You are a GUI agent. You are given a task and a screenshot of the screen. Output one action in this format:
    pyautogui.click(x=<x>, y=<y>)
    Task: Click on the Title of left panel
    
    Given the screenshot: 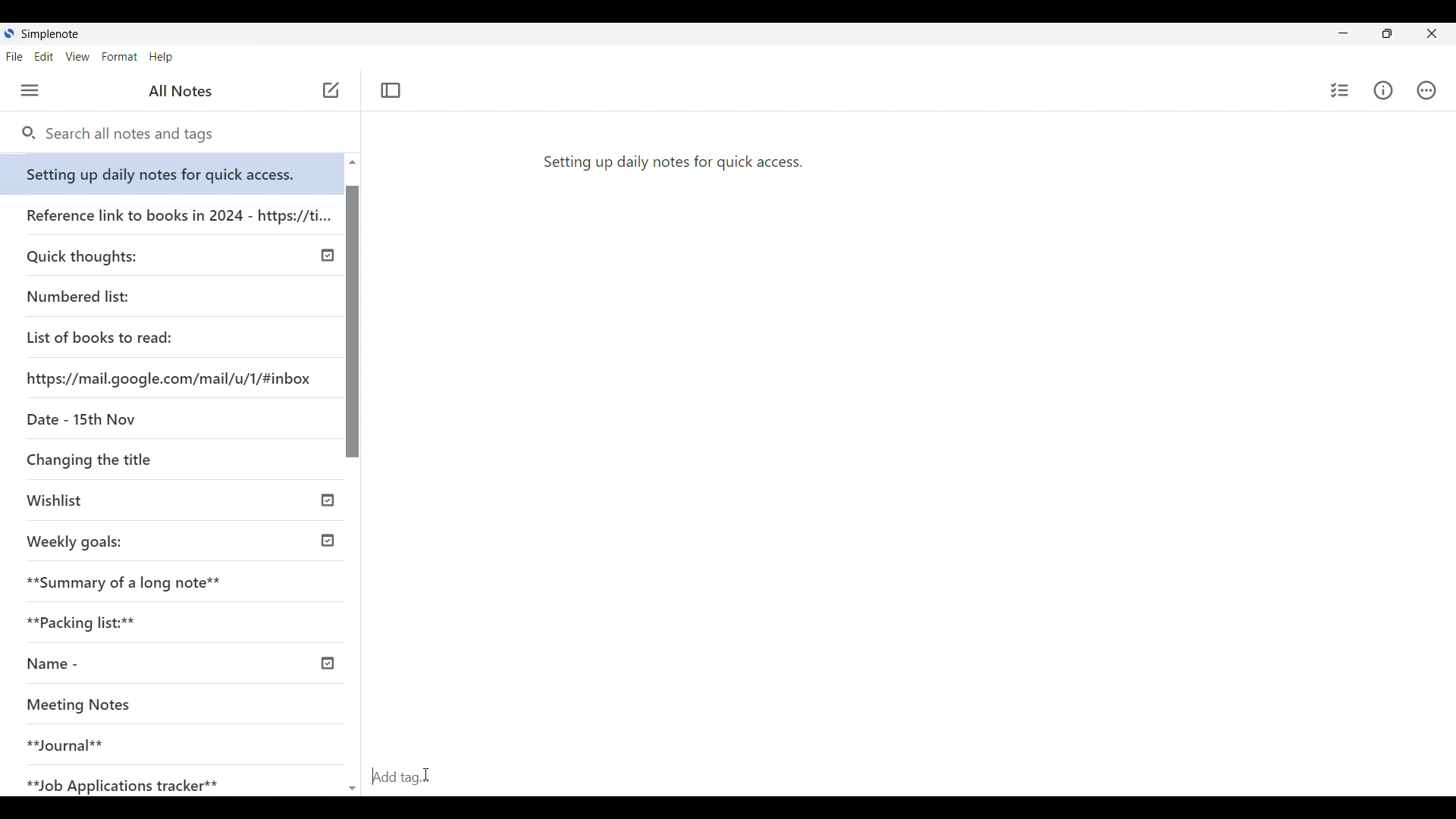 What is the action you would take?
    pyautogui.click(x=180, y=91)
    